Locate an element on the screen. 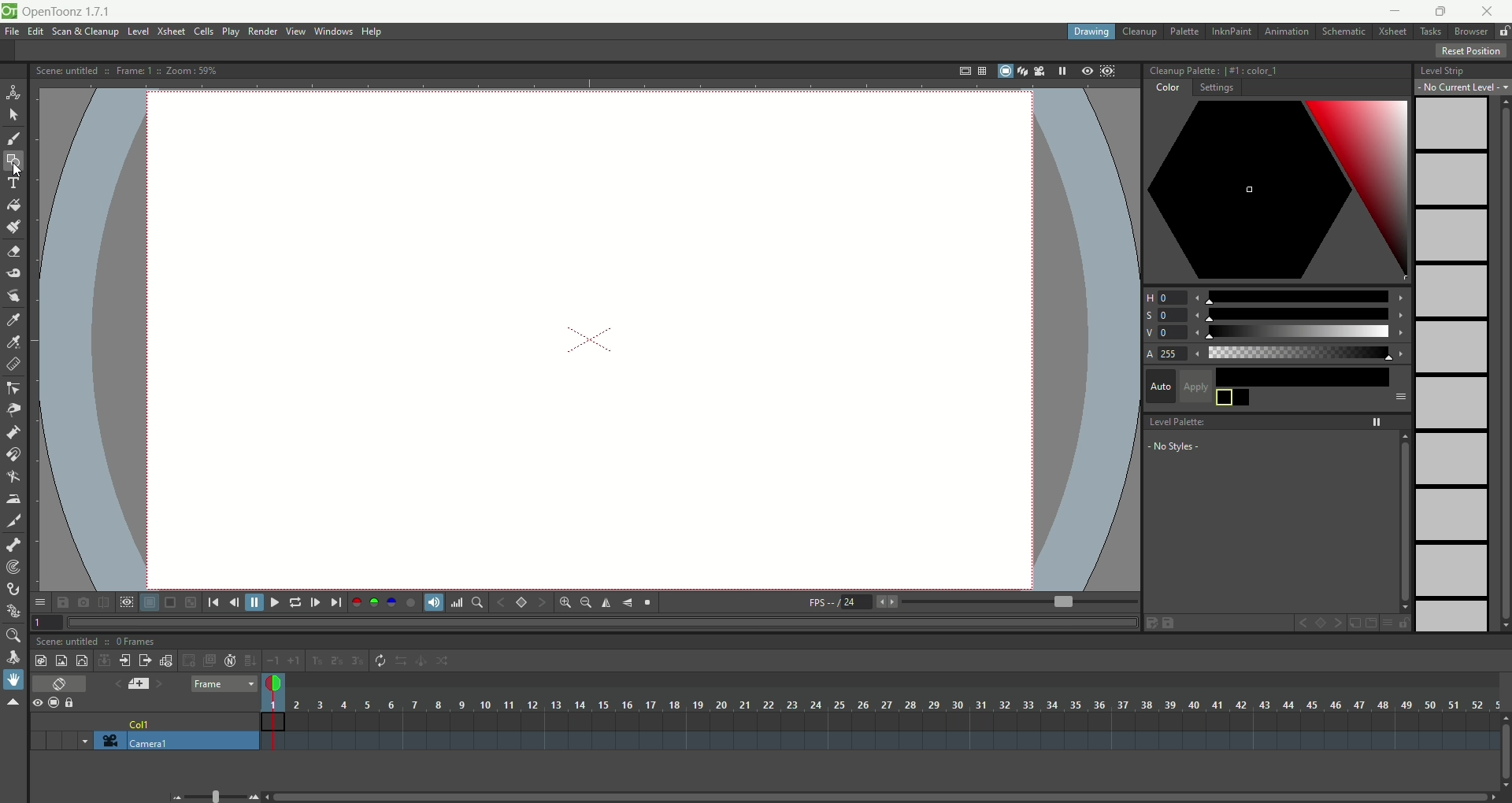 The image size is (1512, 803). toggle onion skin is located at coordinates (272, 684).